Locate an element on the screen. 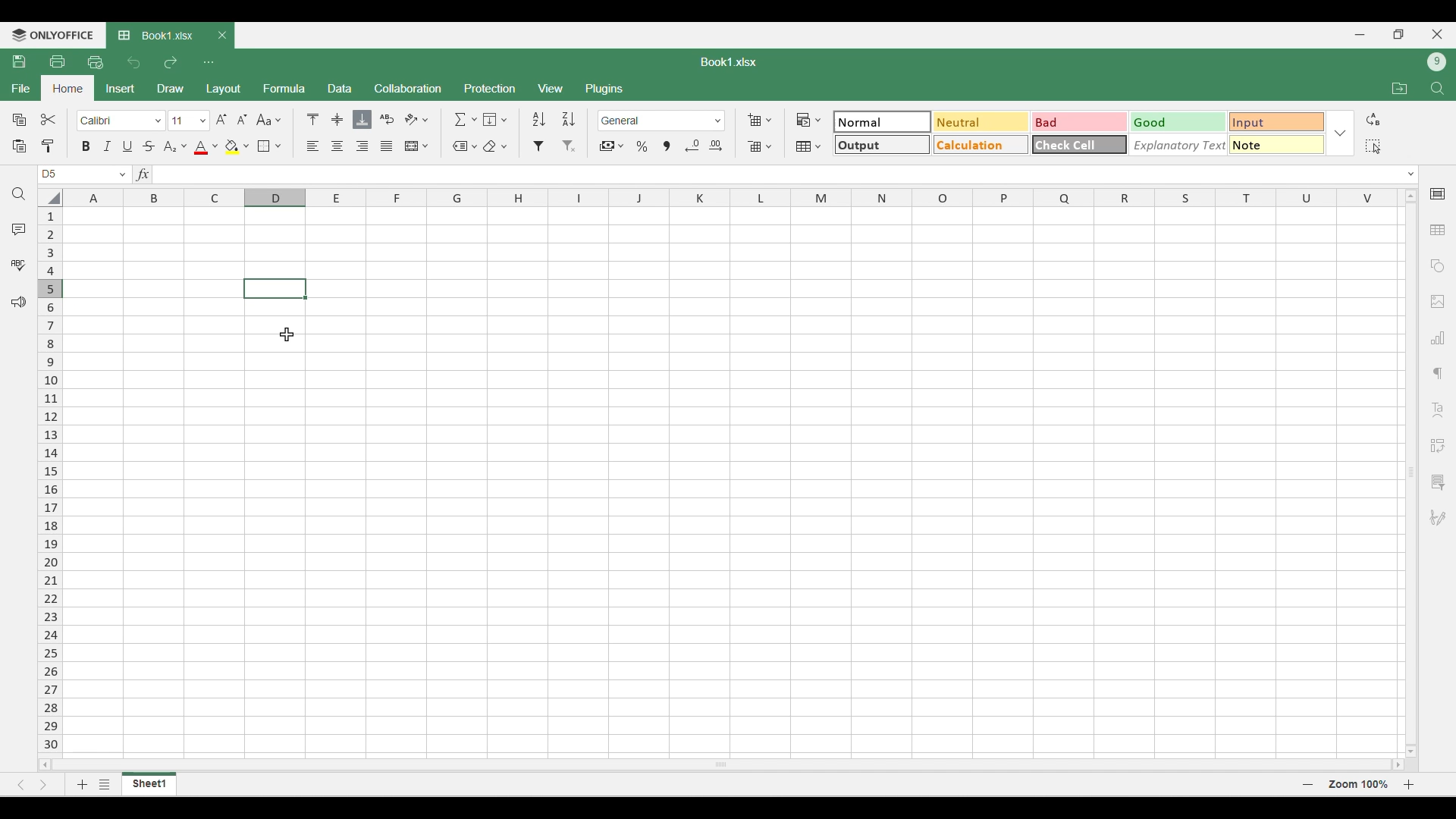  Insert table is located at coordinates (1439, 231).